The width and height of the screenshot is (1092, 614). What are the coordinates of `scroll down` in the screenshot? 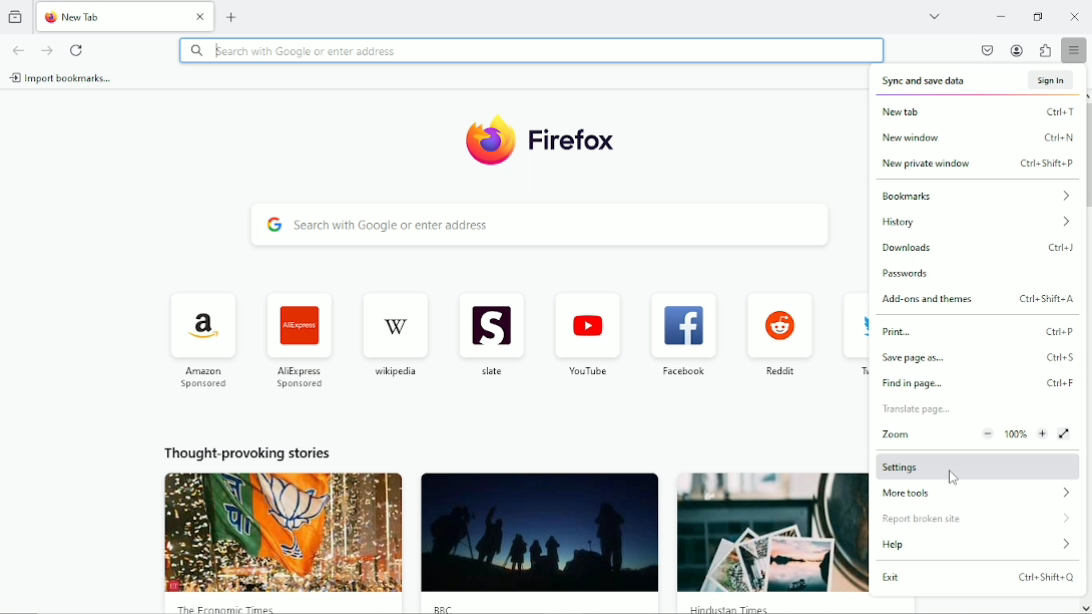 It's located at (1085, 606).